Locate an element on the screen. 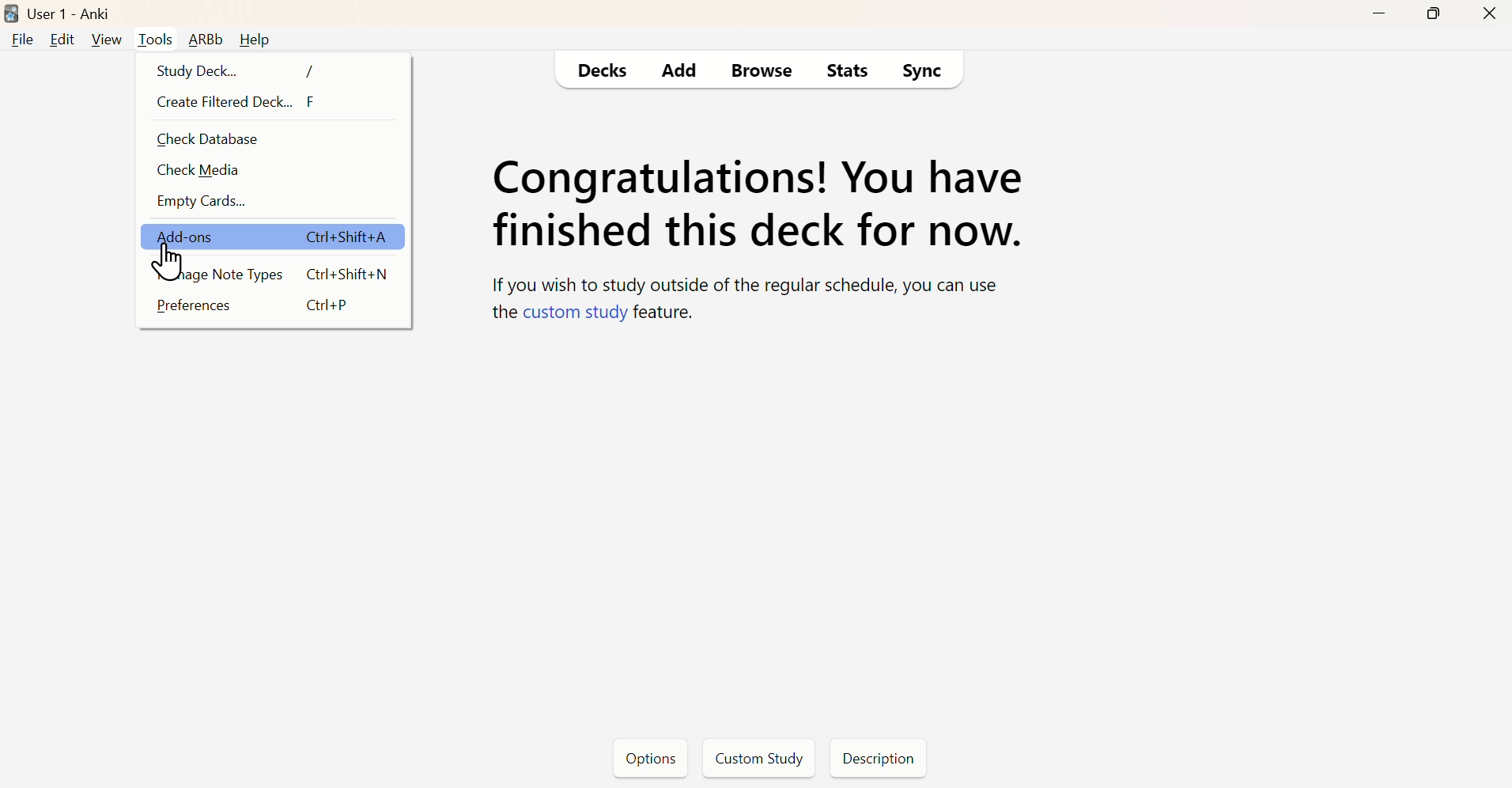  Minimize is located at coordinates (1378, 14).